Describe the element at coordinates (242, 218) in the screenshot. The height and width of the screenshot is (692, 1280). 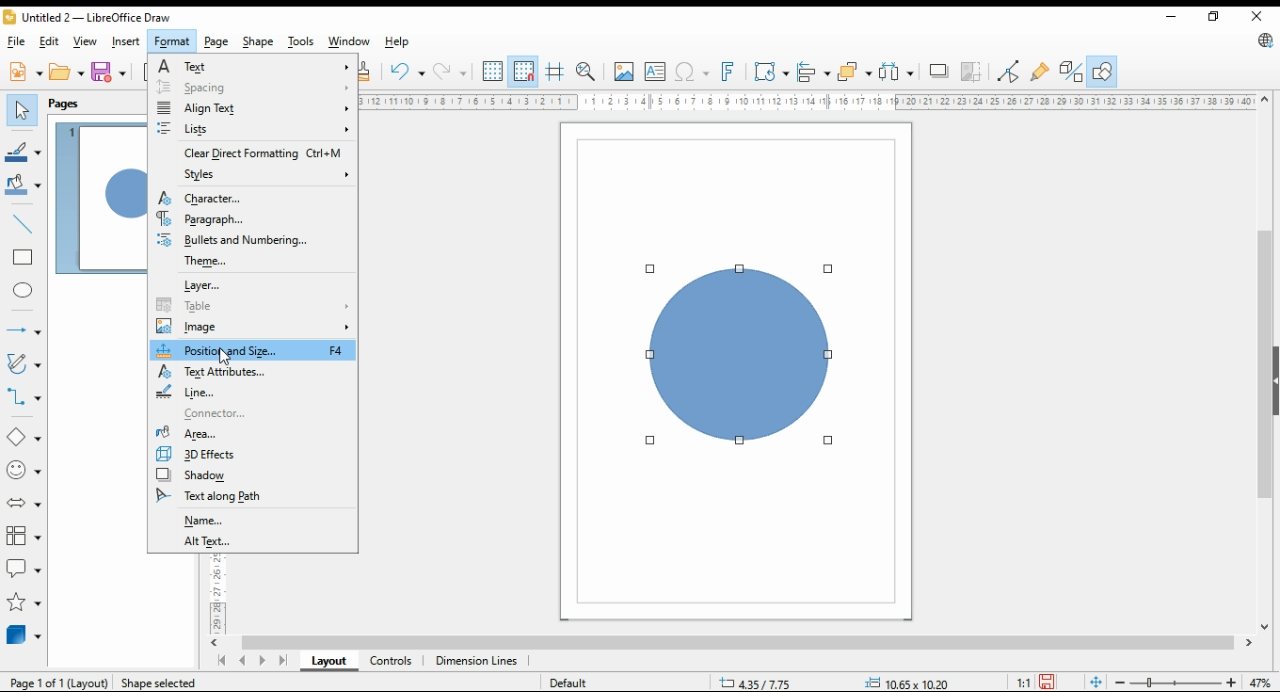
I see `paragraph` at that location.